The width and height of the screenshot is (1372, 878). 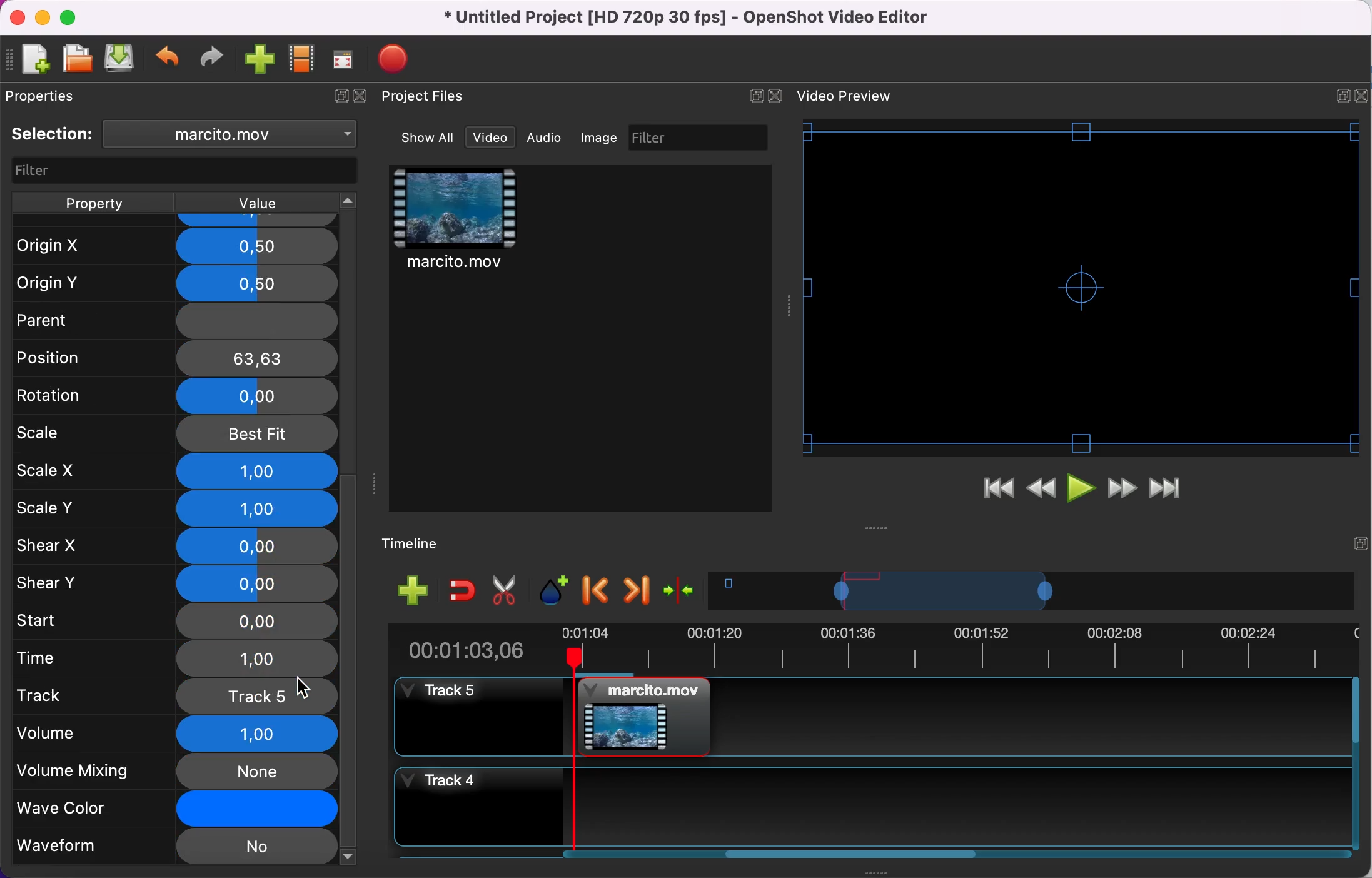 What do you see at coordinates (344, 59) in the screenshot?
I see `fullscreen` at bounding box center [344, 59].